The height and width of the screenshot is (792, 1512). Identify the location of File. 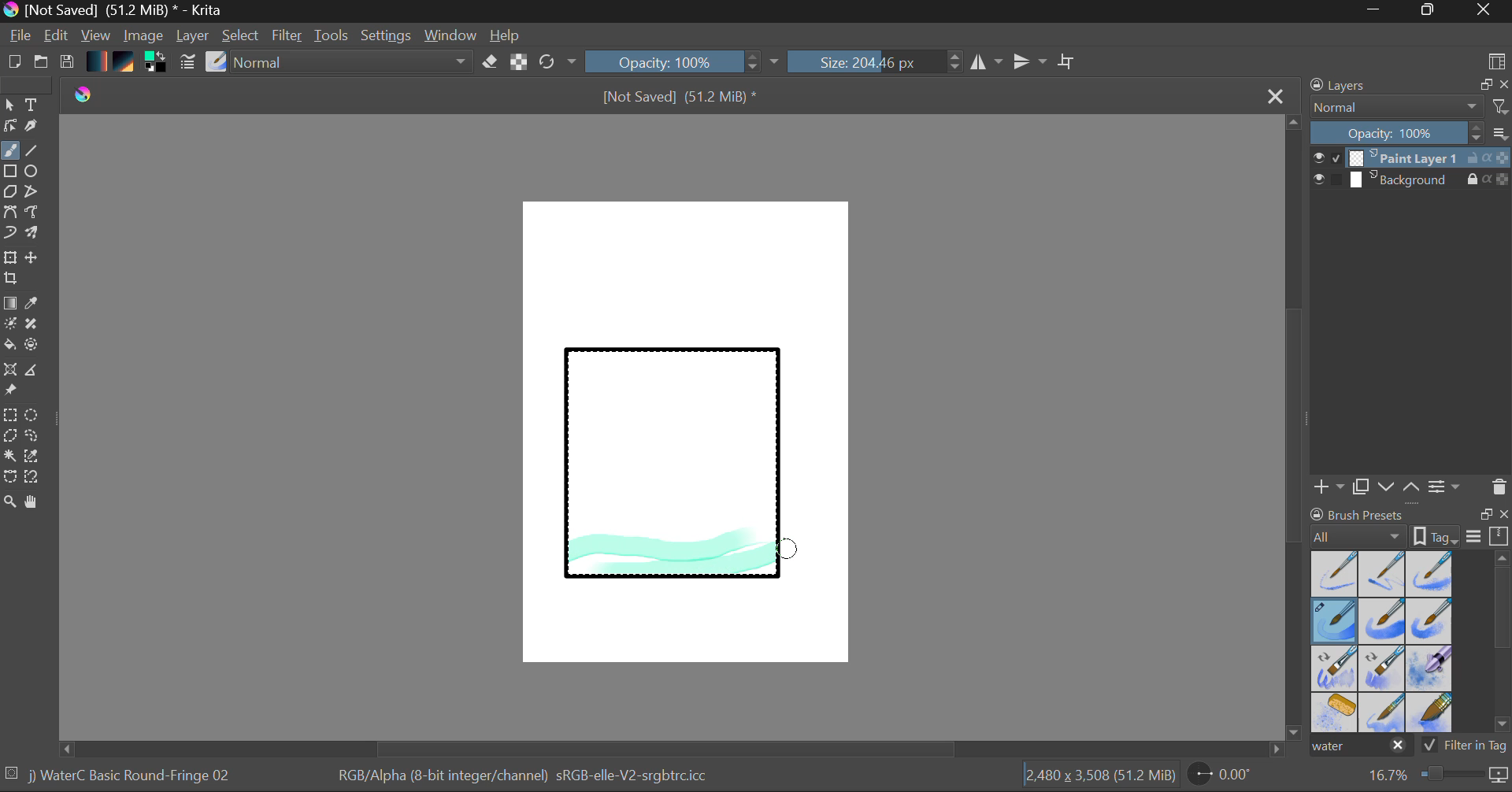
(20, 38).